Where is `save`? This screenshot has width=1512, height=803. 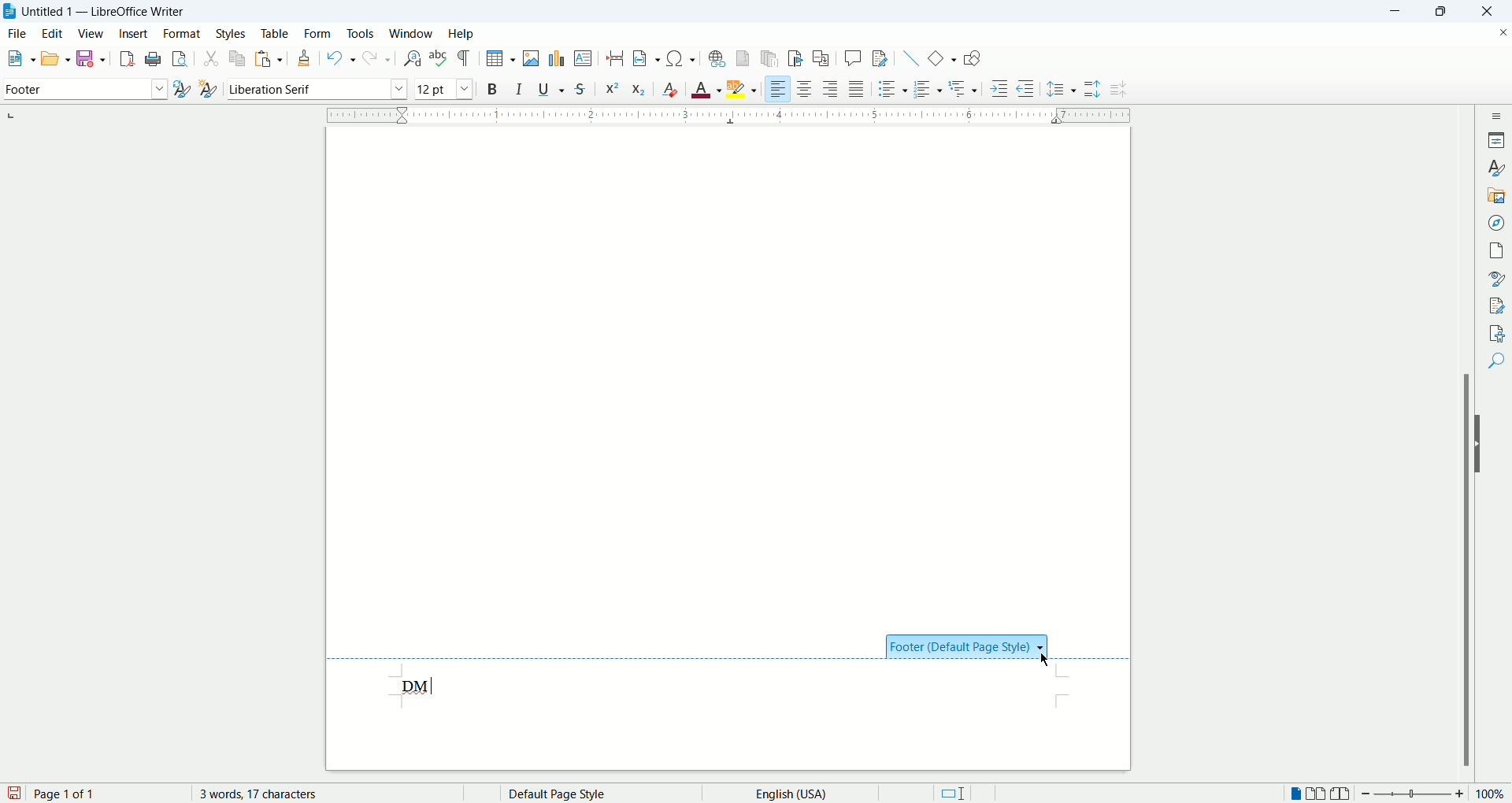
save is located at coordinates (14, 792).